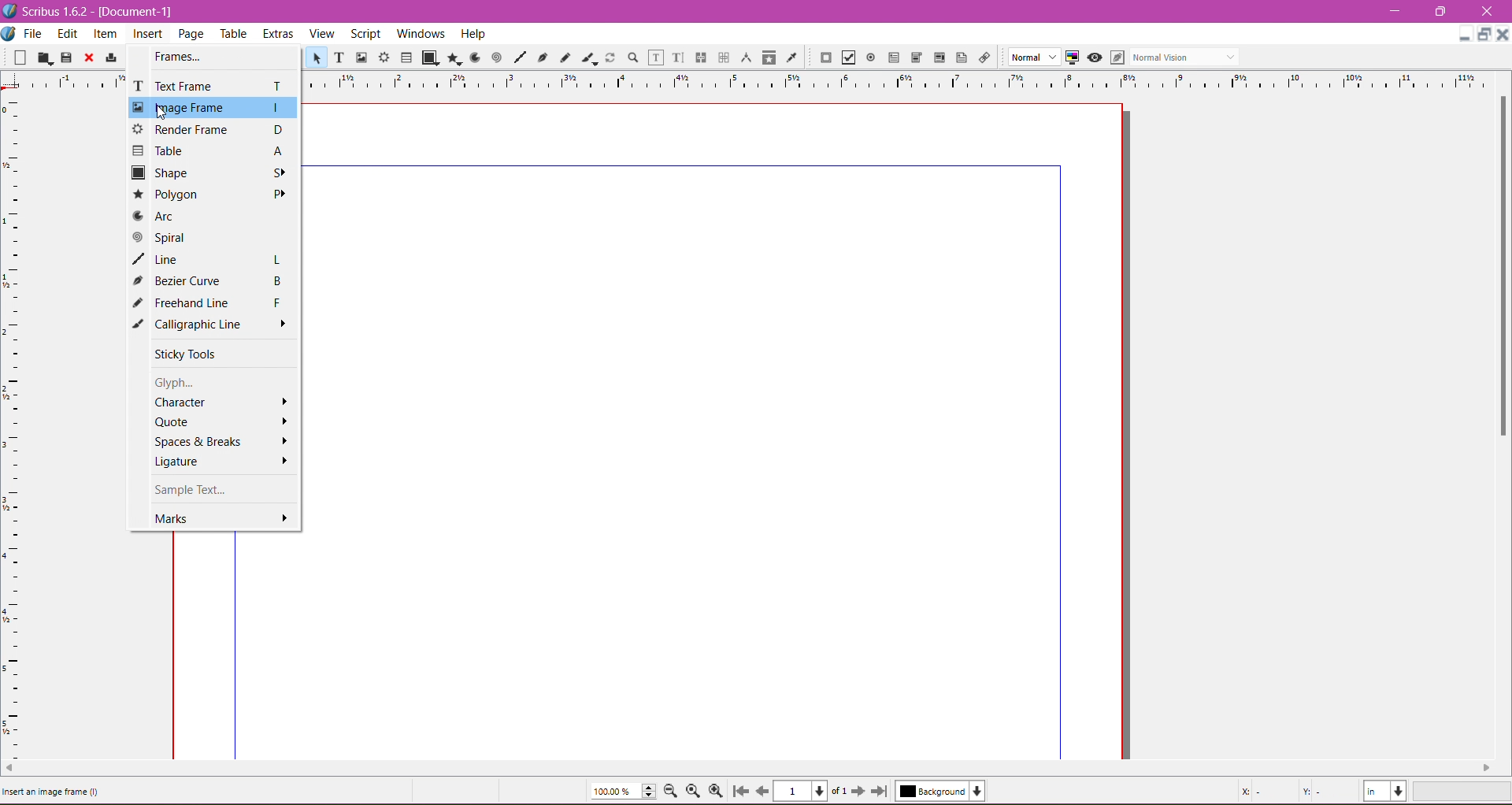 Image resolution: width=1512 pixels, height=805 pixels. What do you see at coordinates (723, 57) in the screenshot?
I see `Unlink Text Frames` at bounding box center [723, 57].